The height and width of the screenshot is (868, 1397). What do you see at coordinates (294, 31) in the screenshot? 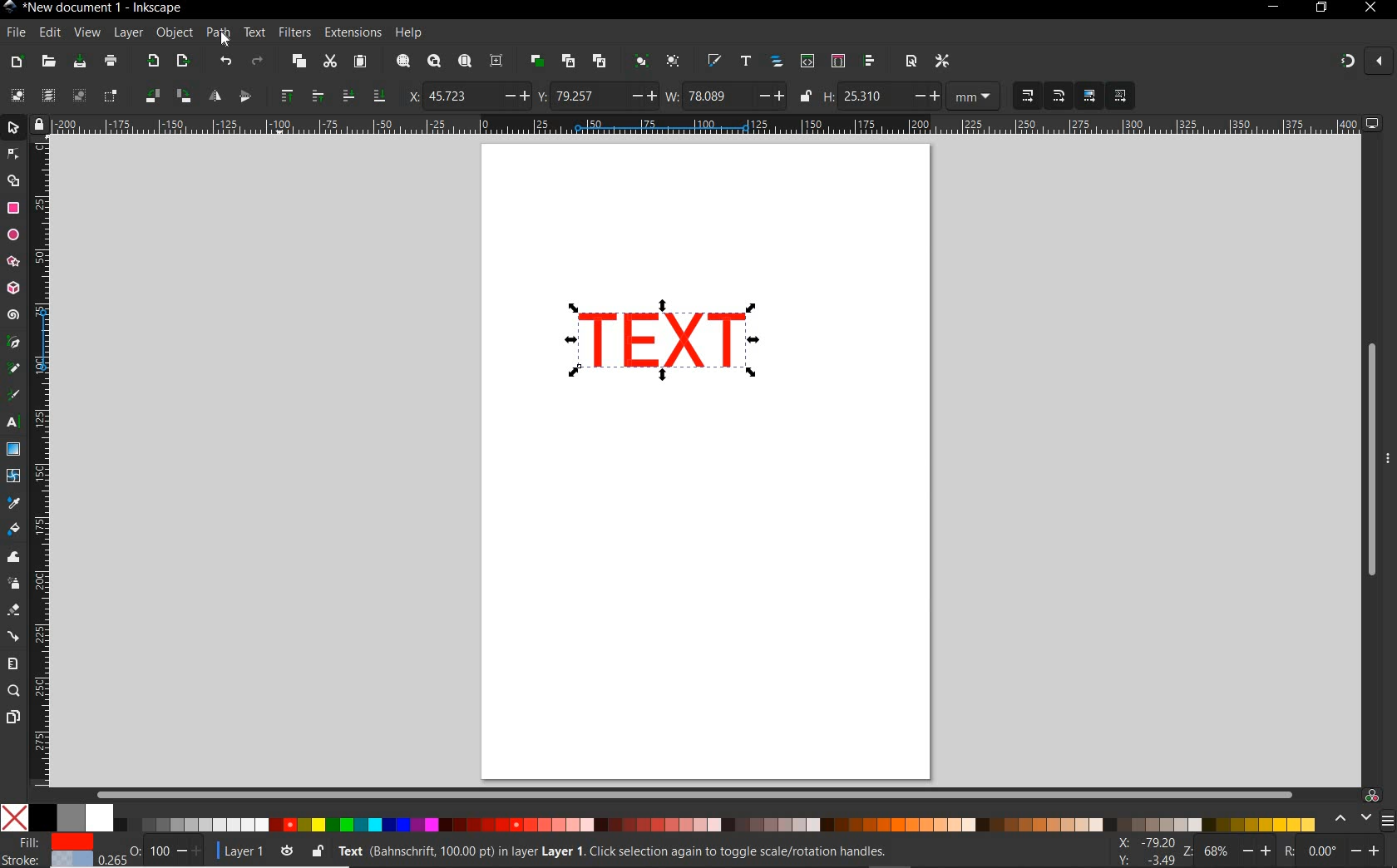
I see `FILTERS` at bounding box center [294, 31].